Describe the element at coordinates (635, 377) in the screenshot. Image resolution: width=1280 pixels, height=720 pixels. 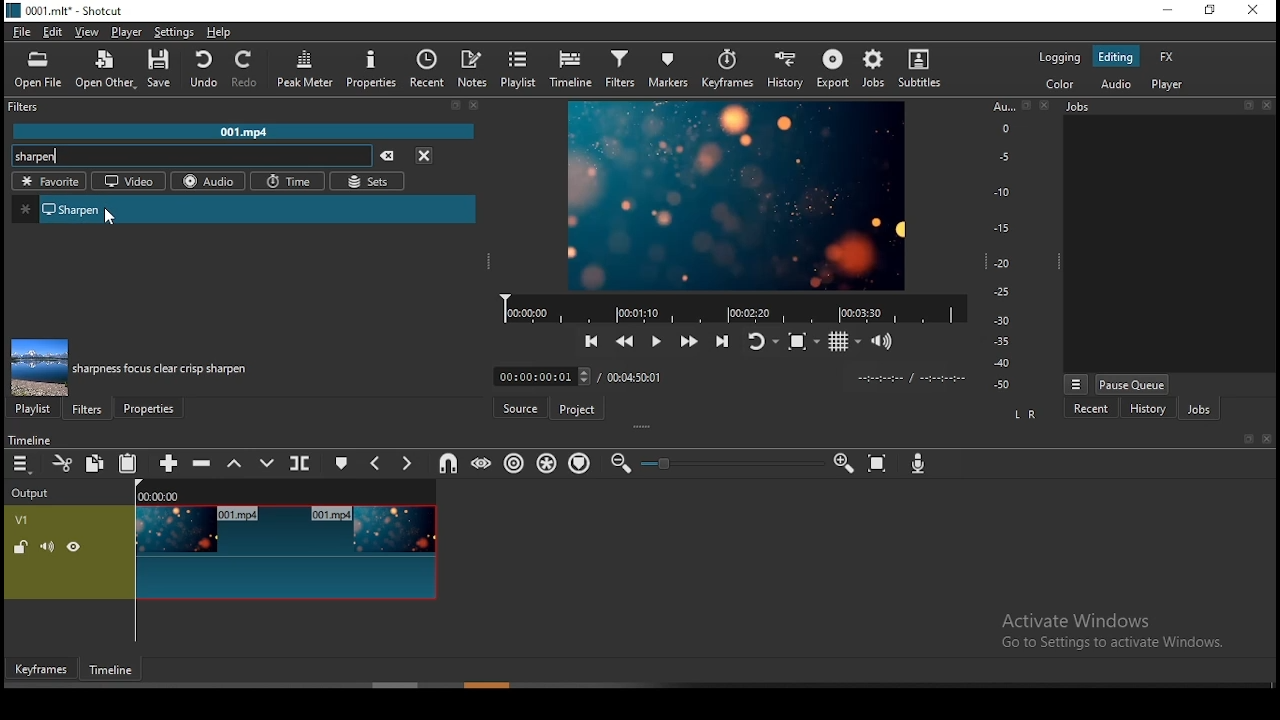
I see `track duration` at that location.